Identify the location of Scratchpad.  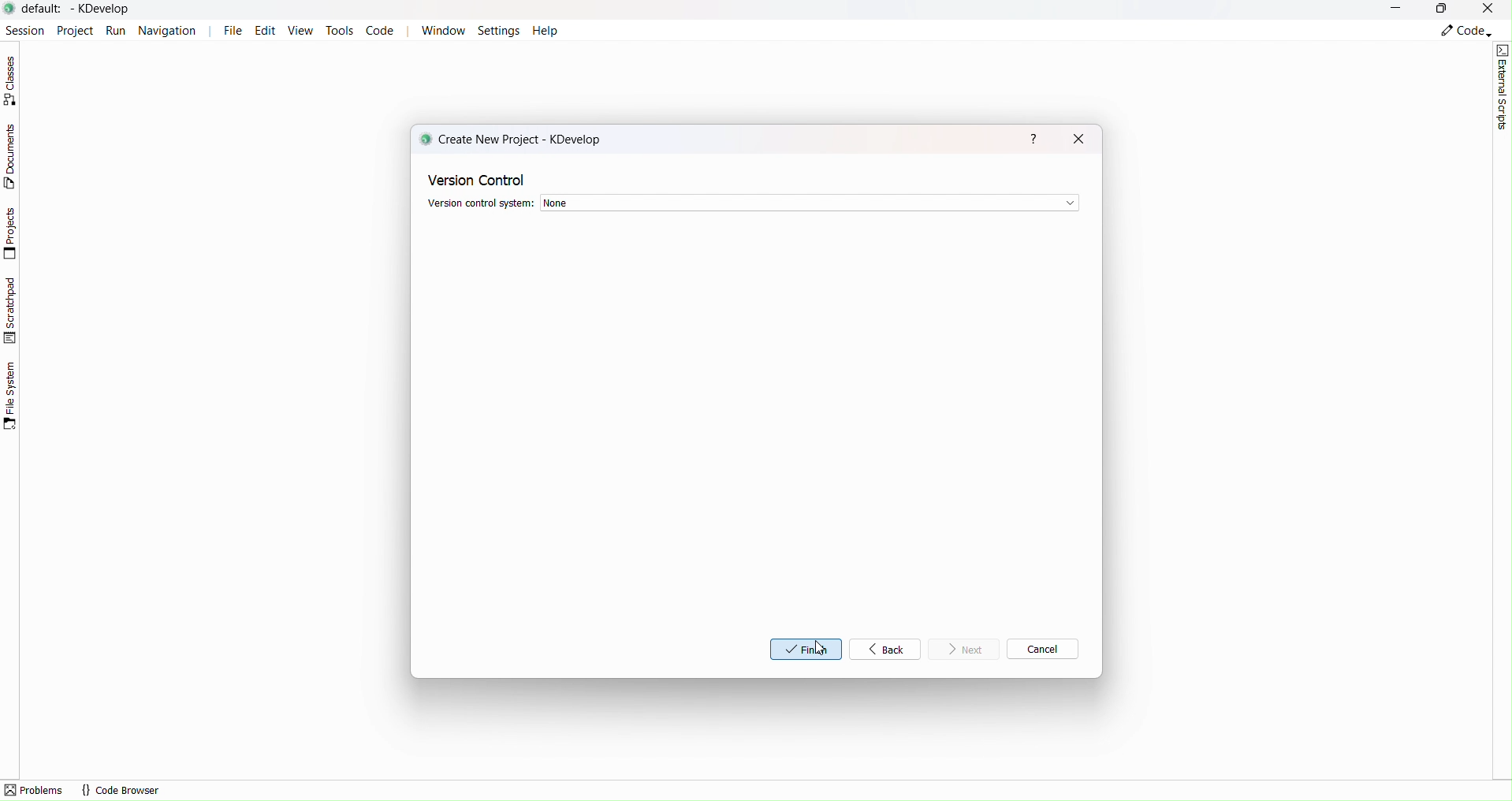
(12, 310).